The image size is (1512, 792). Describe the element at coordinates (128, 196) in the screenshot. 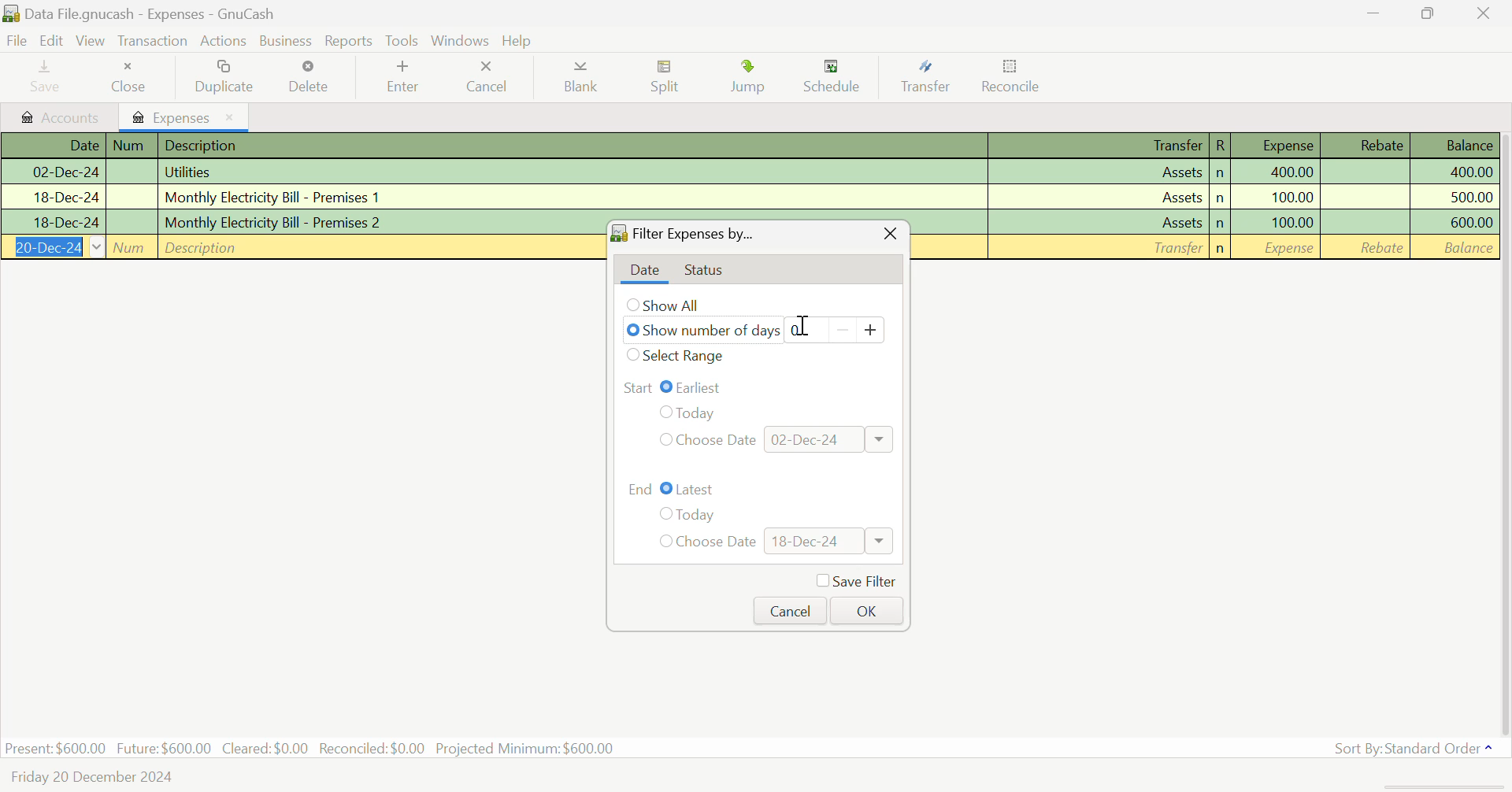

I see `Num` at that location.